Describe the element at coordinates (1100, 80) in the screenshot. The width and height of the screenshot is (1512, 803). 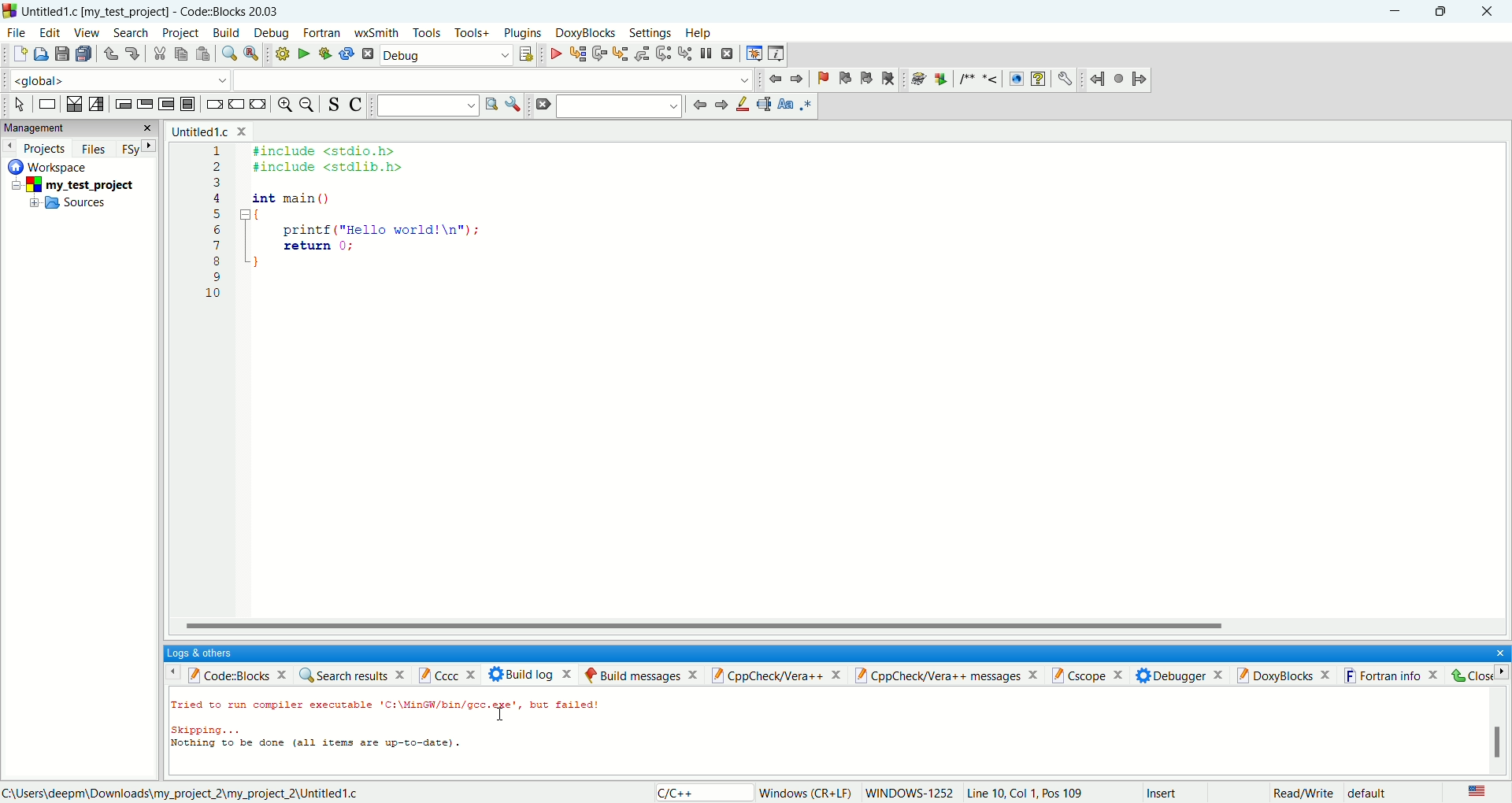
I see `next jump` at that location.